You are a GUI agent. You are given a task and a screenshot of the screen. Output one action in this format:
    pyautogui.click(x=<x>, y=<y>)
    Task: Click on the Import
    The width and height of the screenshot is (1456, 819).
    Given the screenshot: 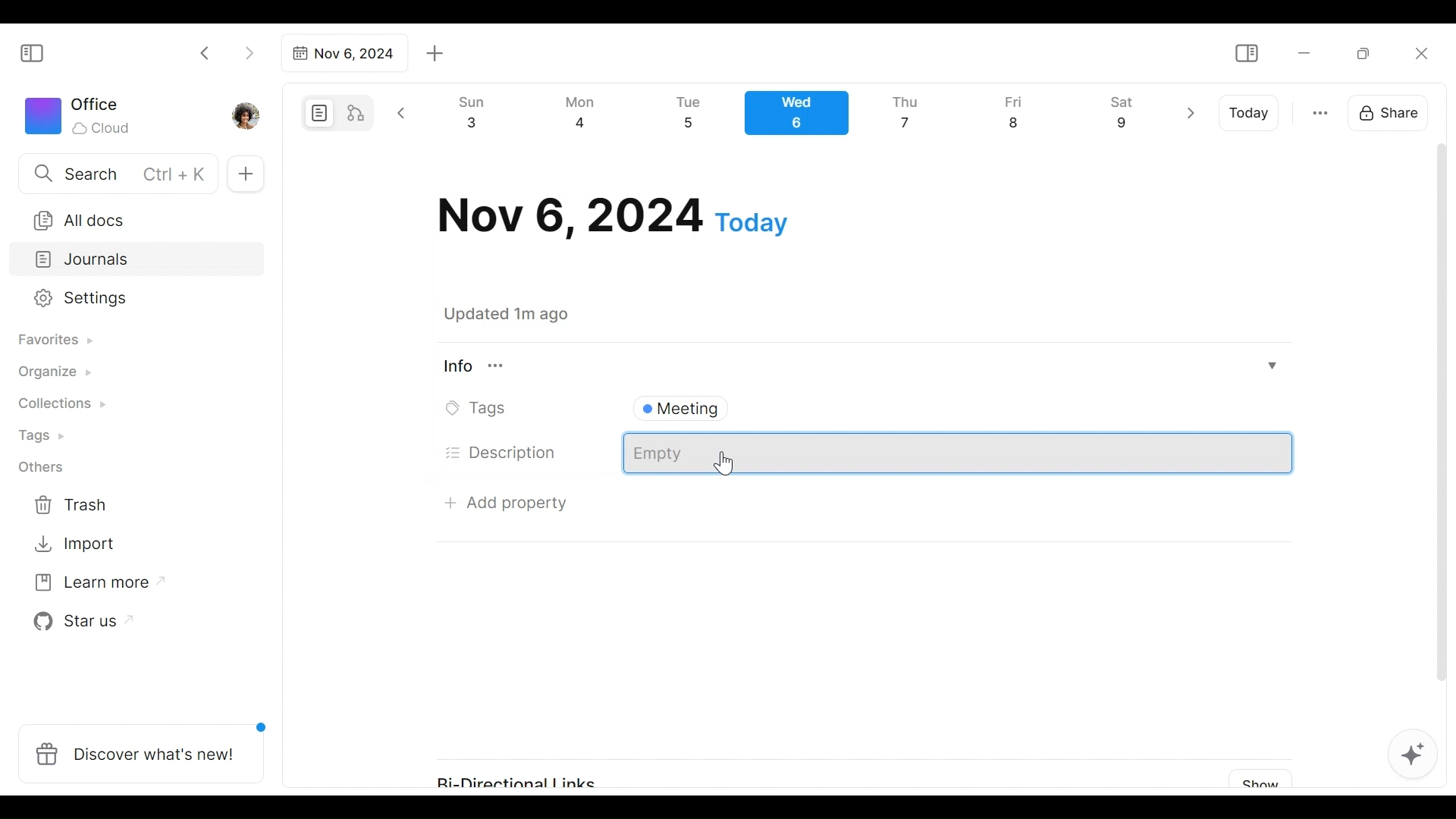 What is the action you would take?
    pyautogui.click(x=77, y=542)
    